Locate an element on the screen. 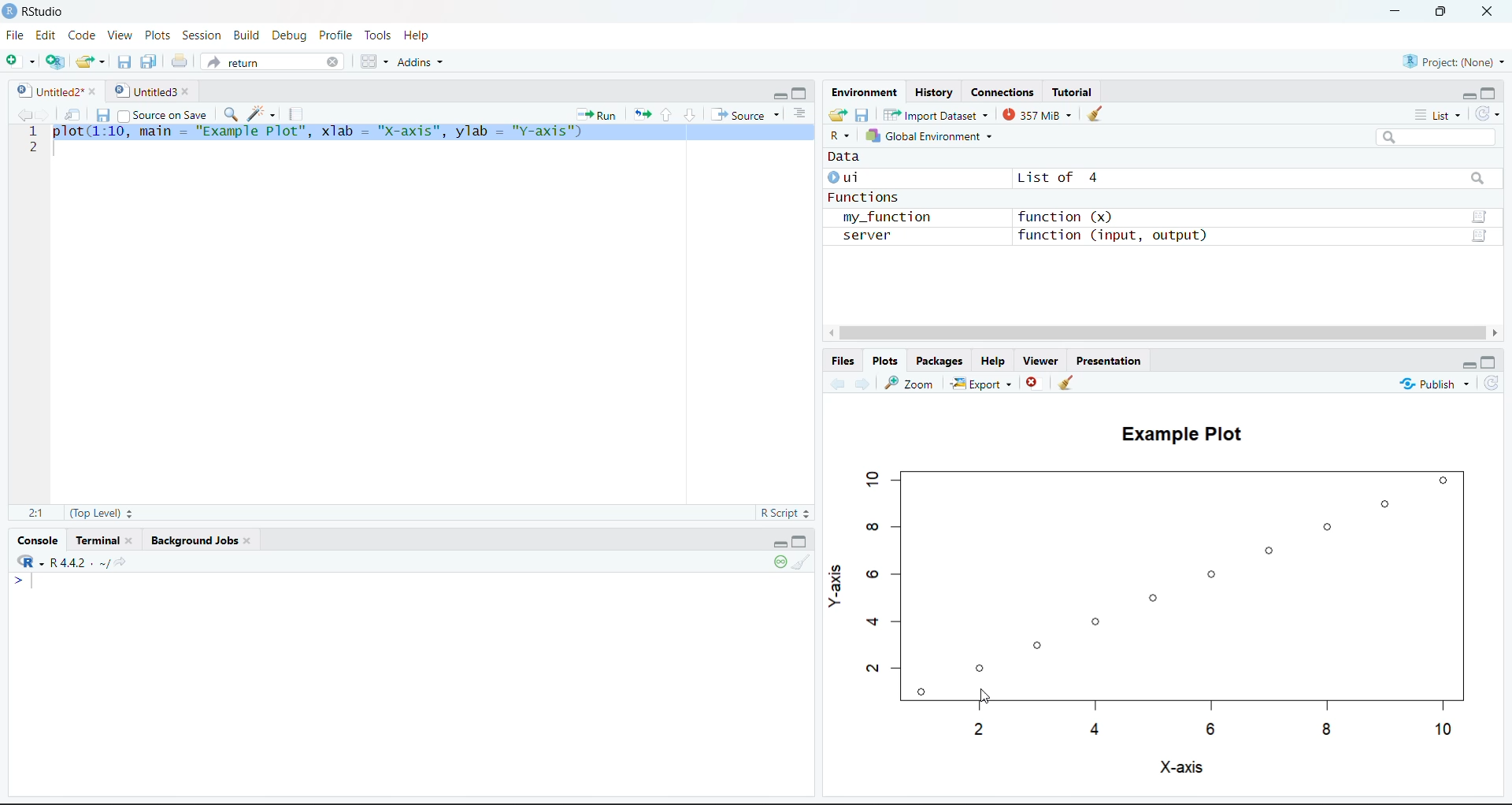 This screenshot has width=1512, height=805. Minimize is located at coordinates (777, 542).